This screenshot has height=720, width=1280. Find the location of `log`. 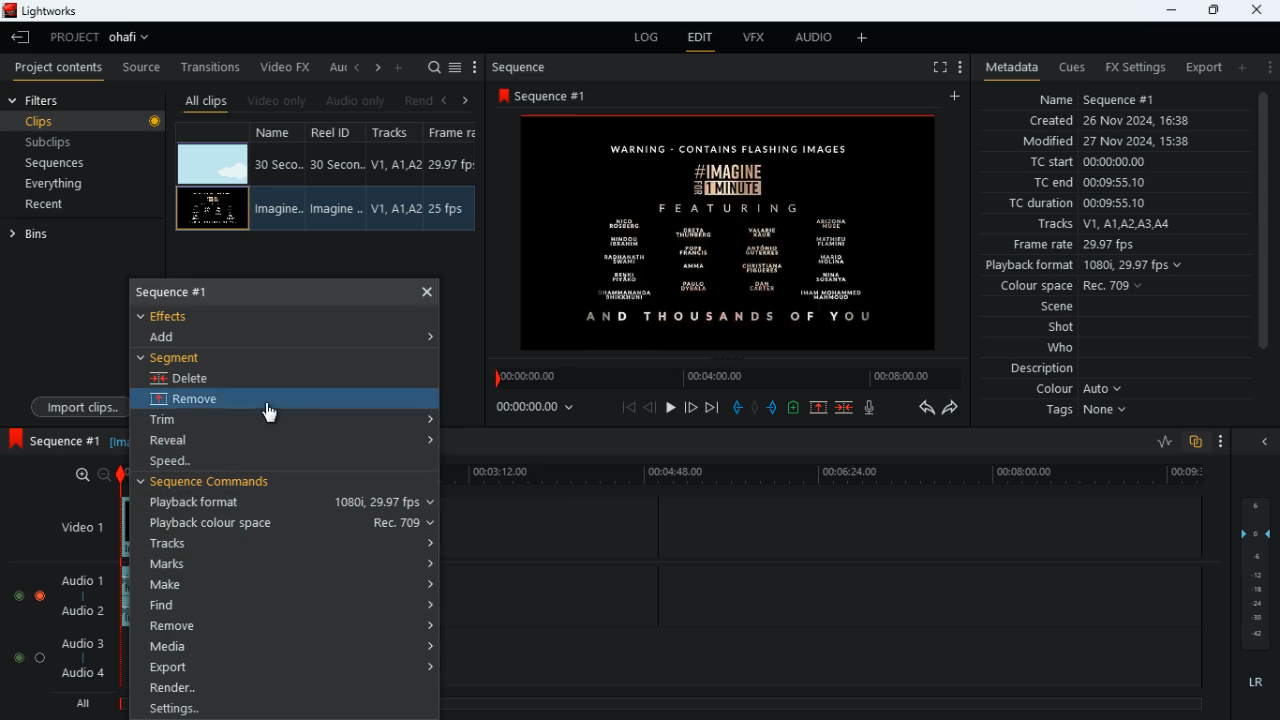

log is located at coordinates (639, 40).